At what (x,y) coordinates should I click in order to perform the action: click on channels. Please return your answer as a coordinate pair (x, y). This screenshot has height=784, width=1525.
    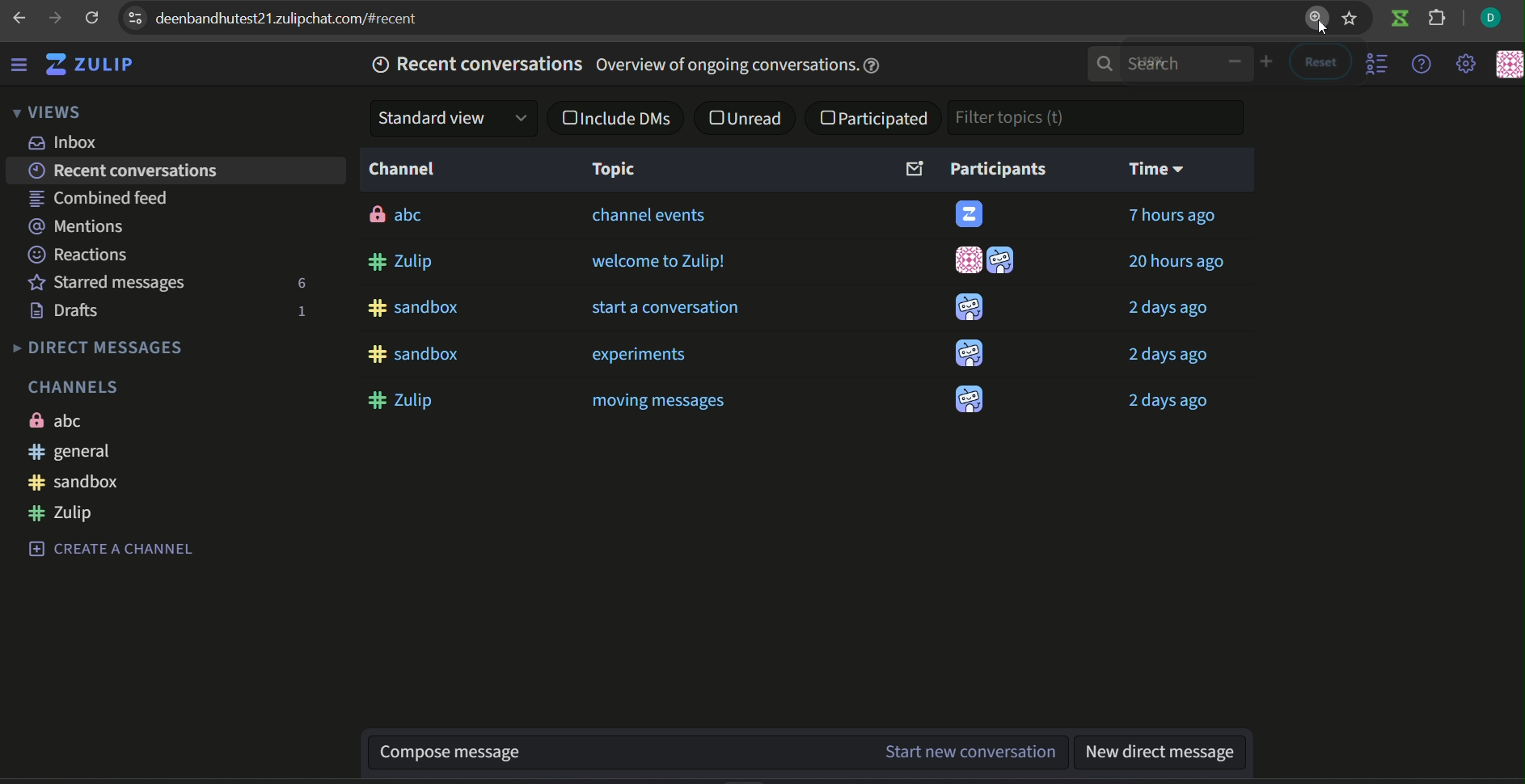
    Looking at the image, I should click on (74, 384).